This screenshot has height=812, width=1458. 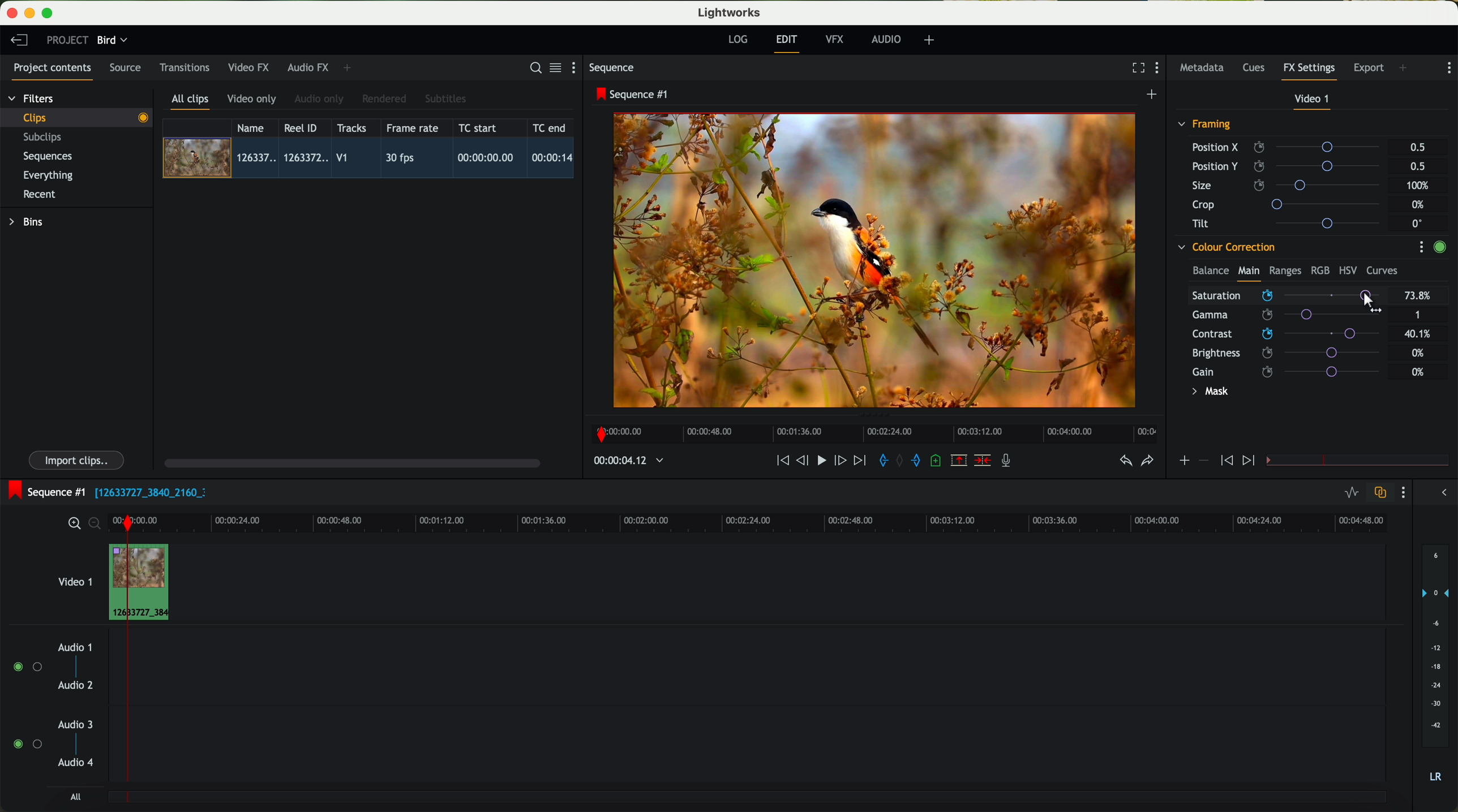 What do you see at coordinates (27, 744) in the screenshot?
I see `enable audio` at bounding box center [27, 744].